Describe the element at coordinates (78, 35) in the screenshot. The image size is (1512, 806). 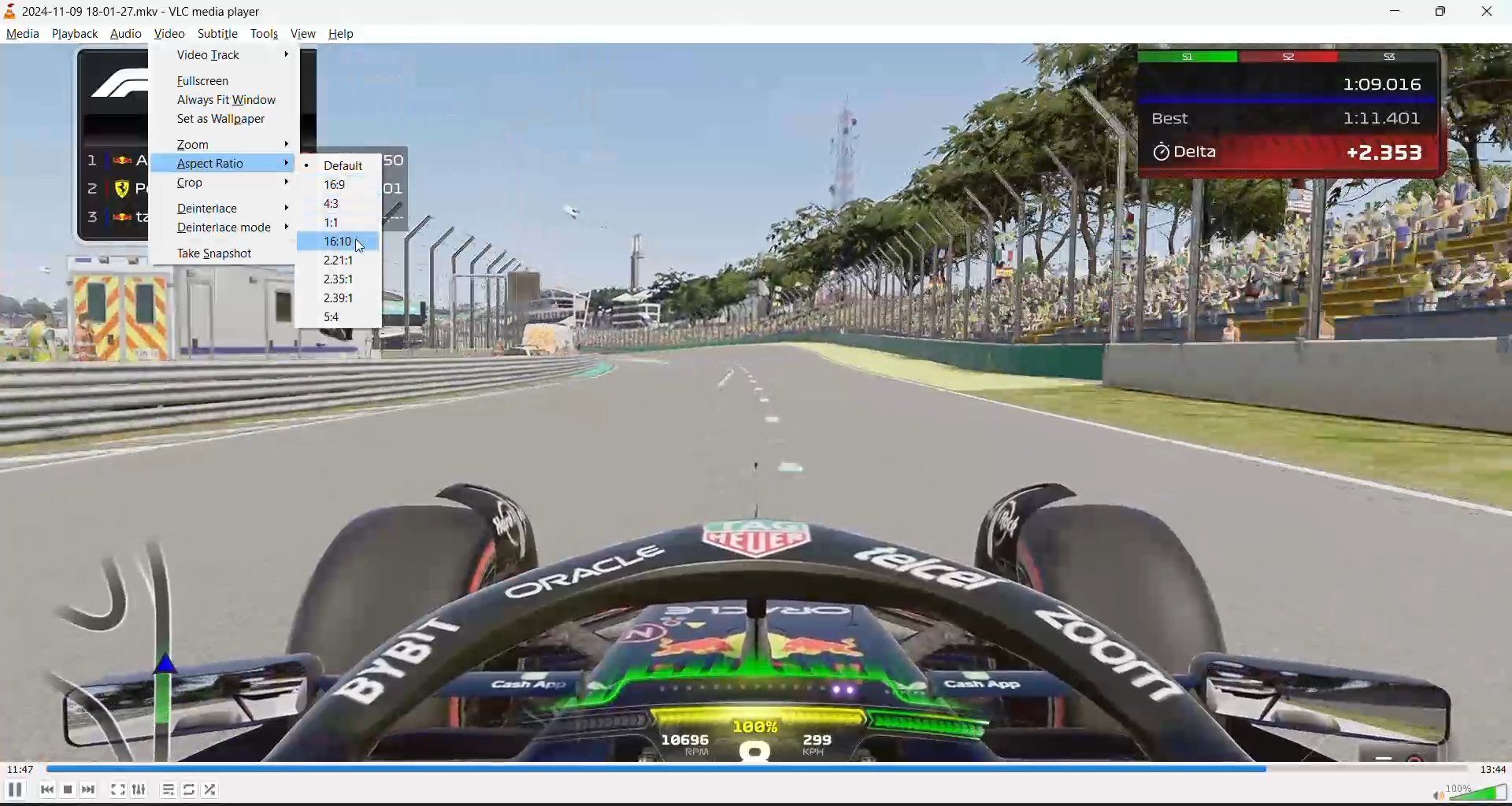
I see `playback` at that location.